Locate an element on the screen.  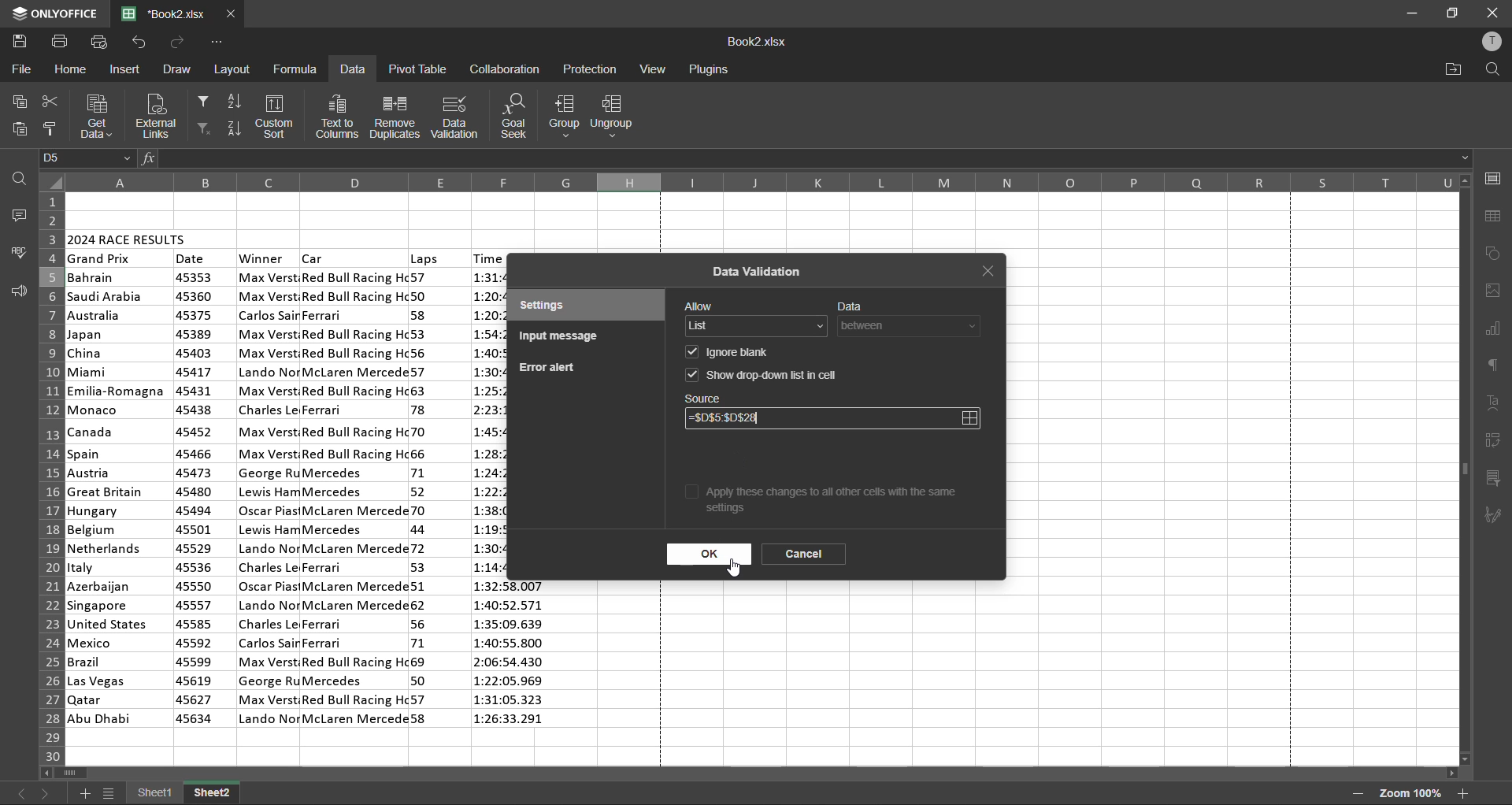
sort descending is located at coordinates (234, 126).